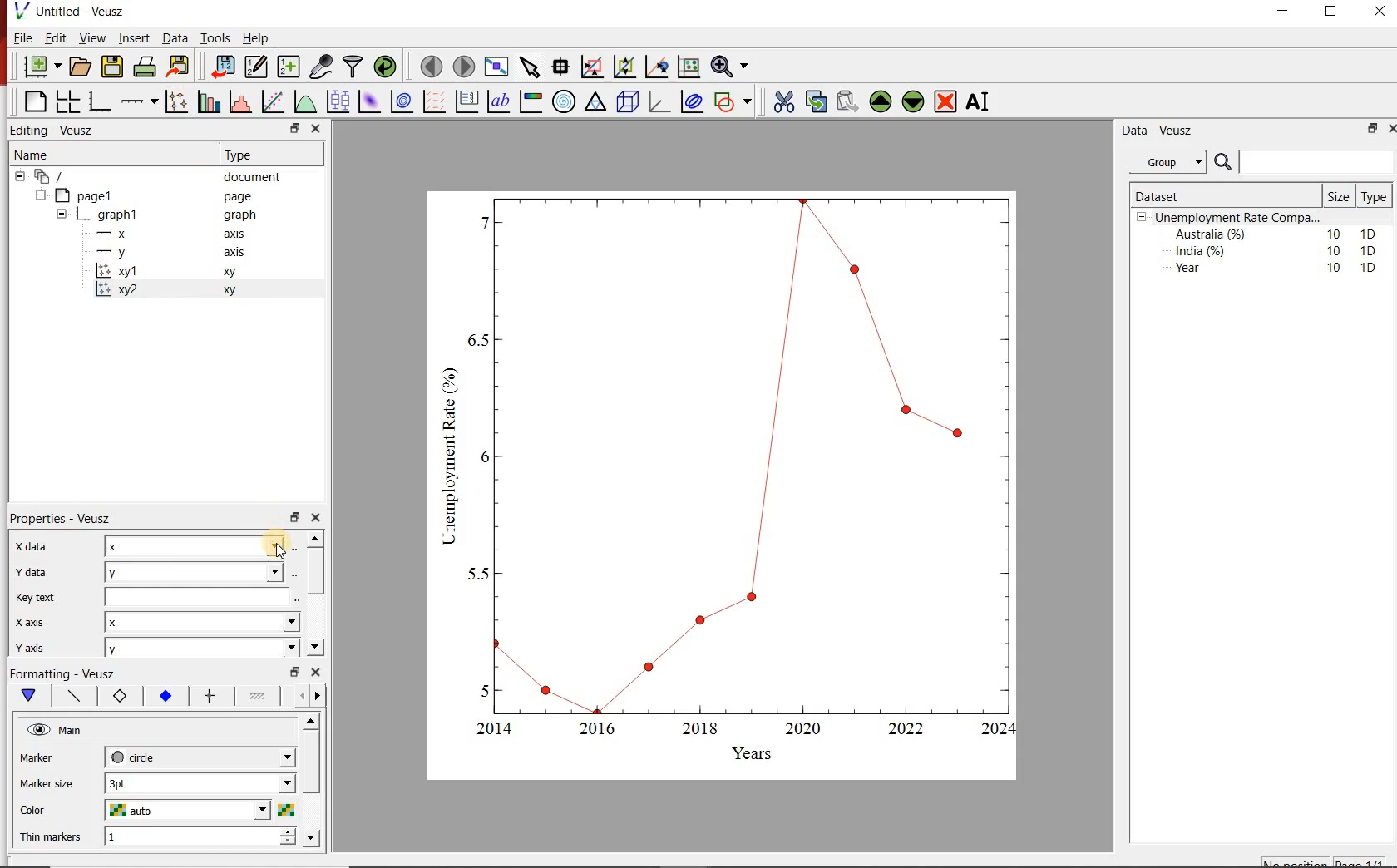 The image size is (1397, 868). I want to click on India (%) 10 1D, so click(1277, 250).